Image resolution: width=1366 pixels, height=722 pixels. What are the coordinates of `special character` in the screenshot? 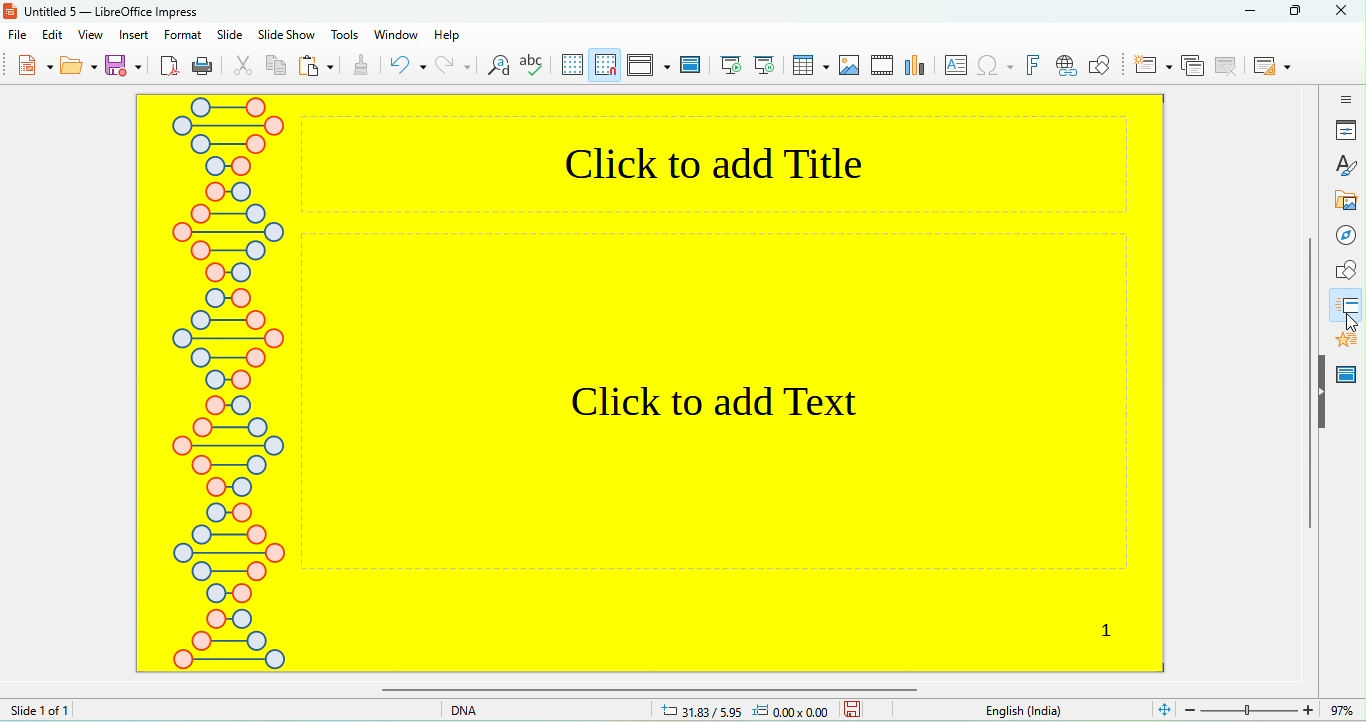 It's located at (995, 68).